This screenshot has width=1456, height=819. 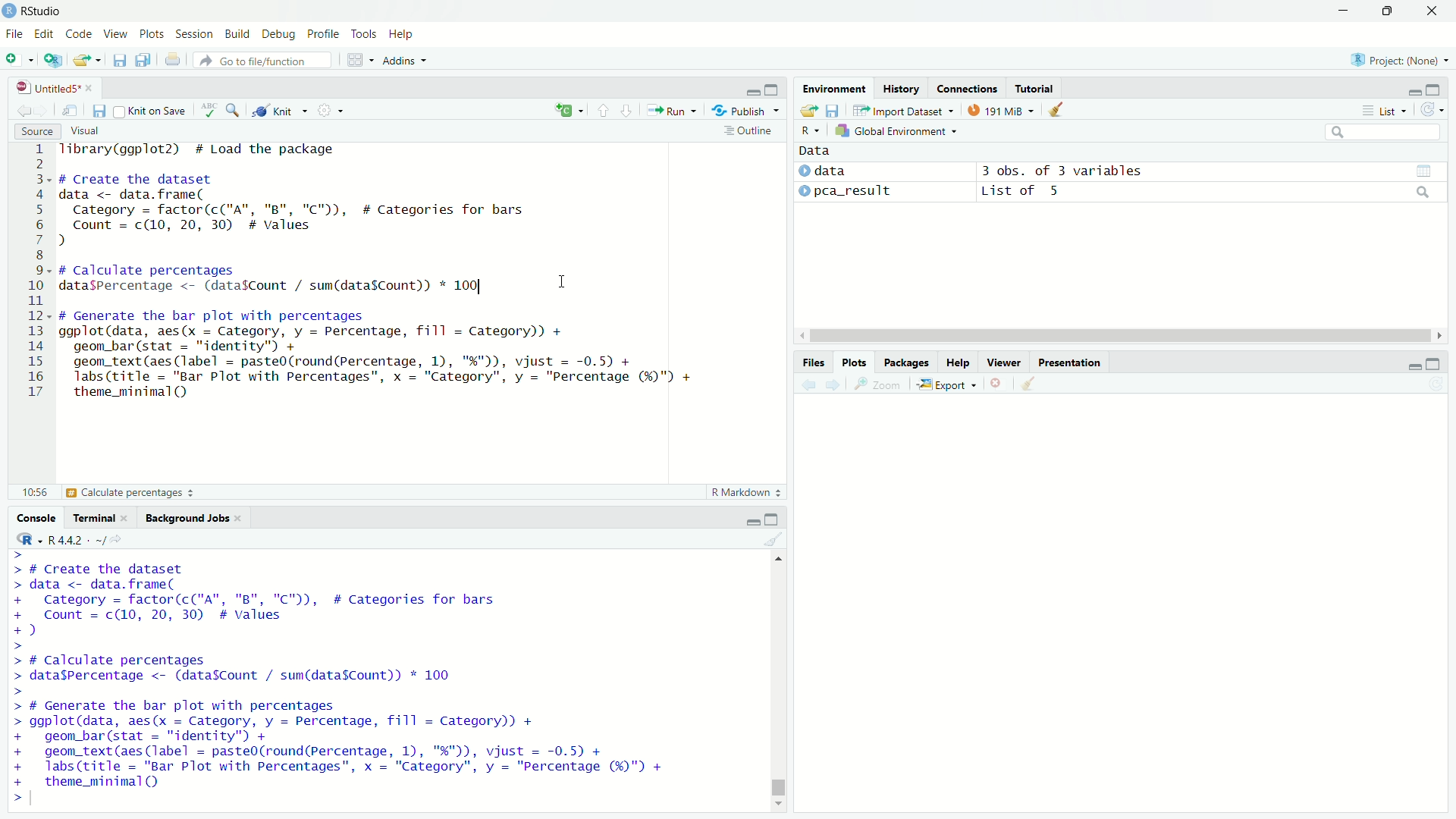 What do you see at coordinates (89, 130) in the screenshot?
I see `visual` at bounding box center [89, 130].